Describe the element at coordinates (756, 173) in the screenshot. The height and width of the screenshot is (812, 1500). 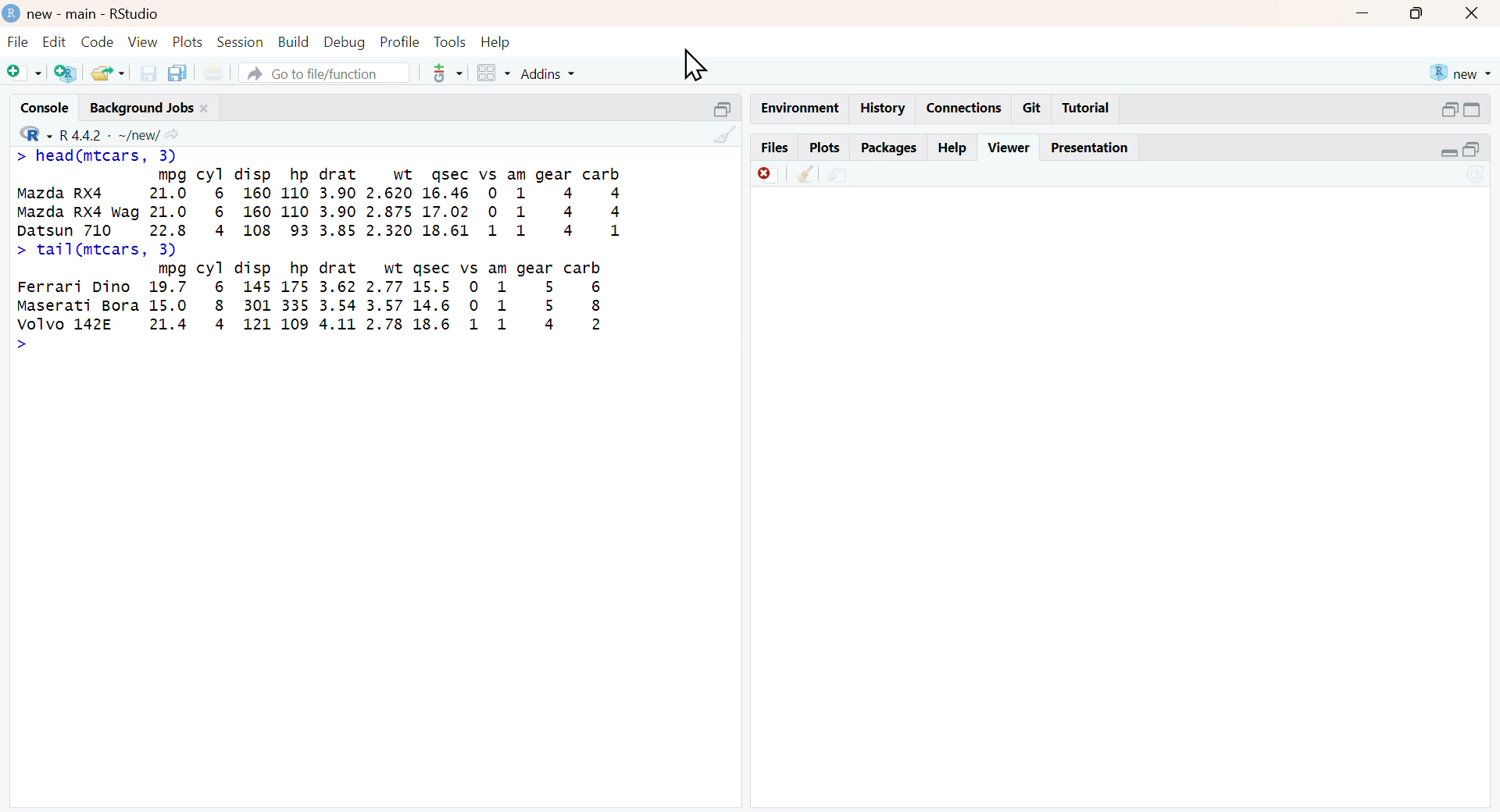
I see `Remove current viewer tem` at that location.